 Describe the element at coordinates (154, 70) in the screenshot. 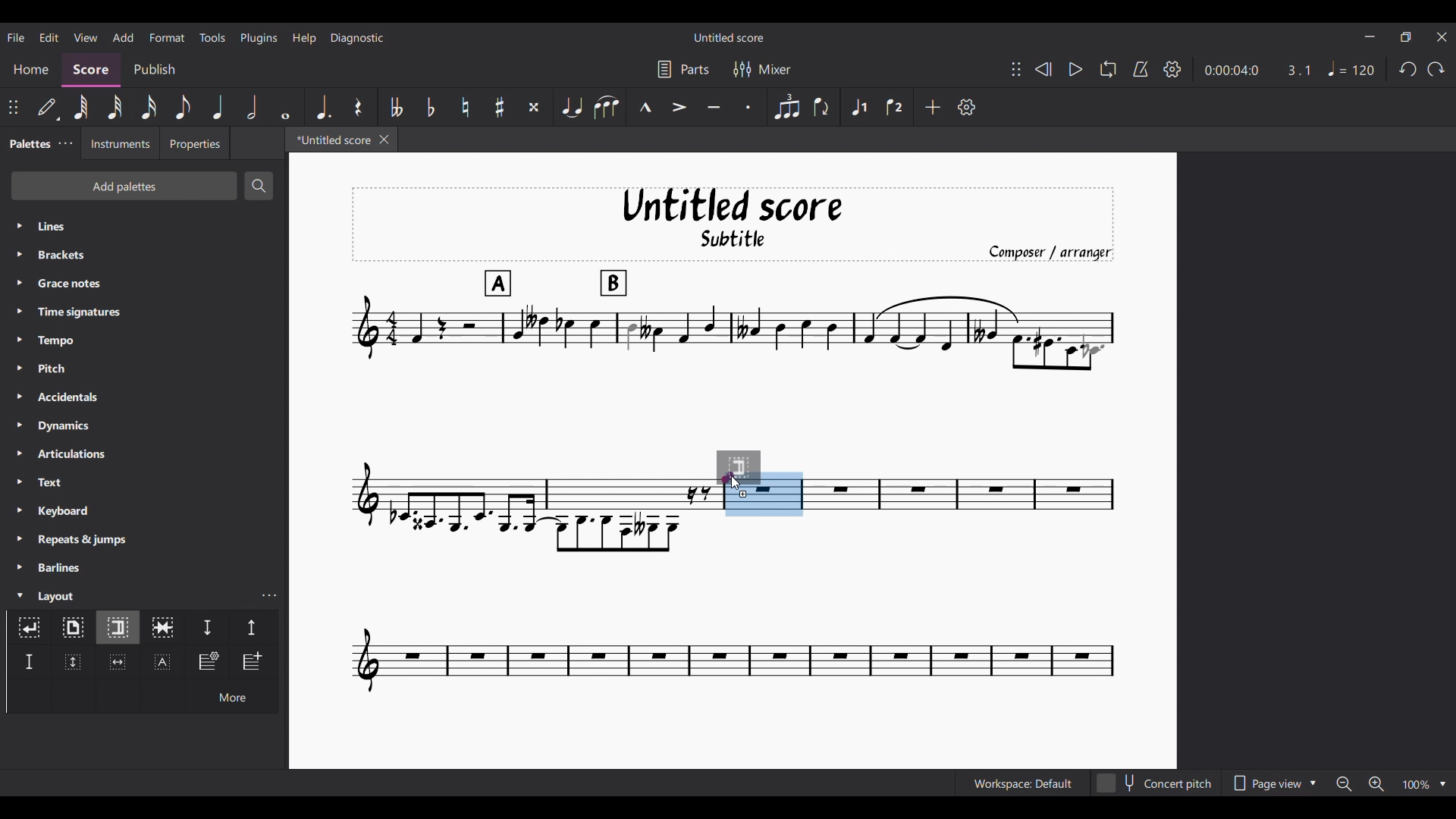

I see `Publish section` at that location.